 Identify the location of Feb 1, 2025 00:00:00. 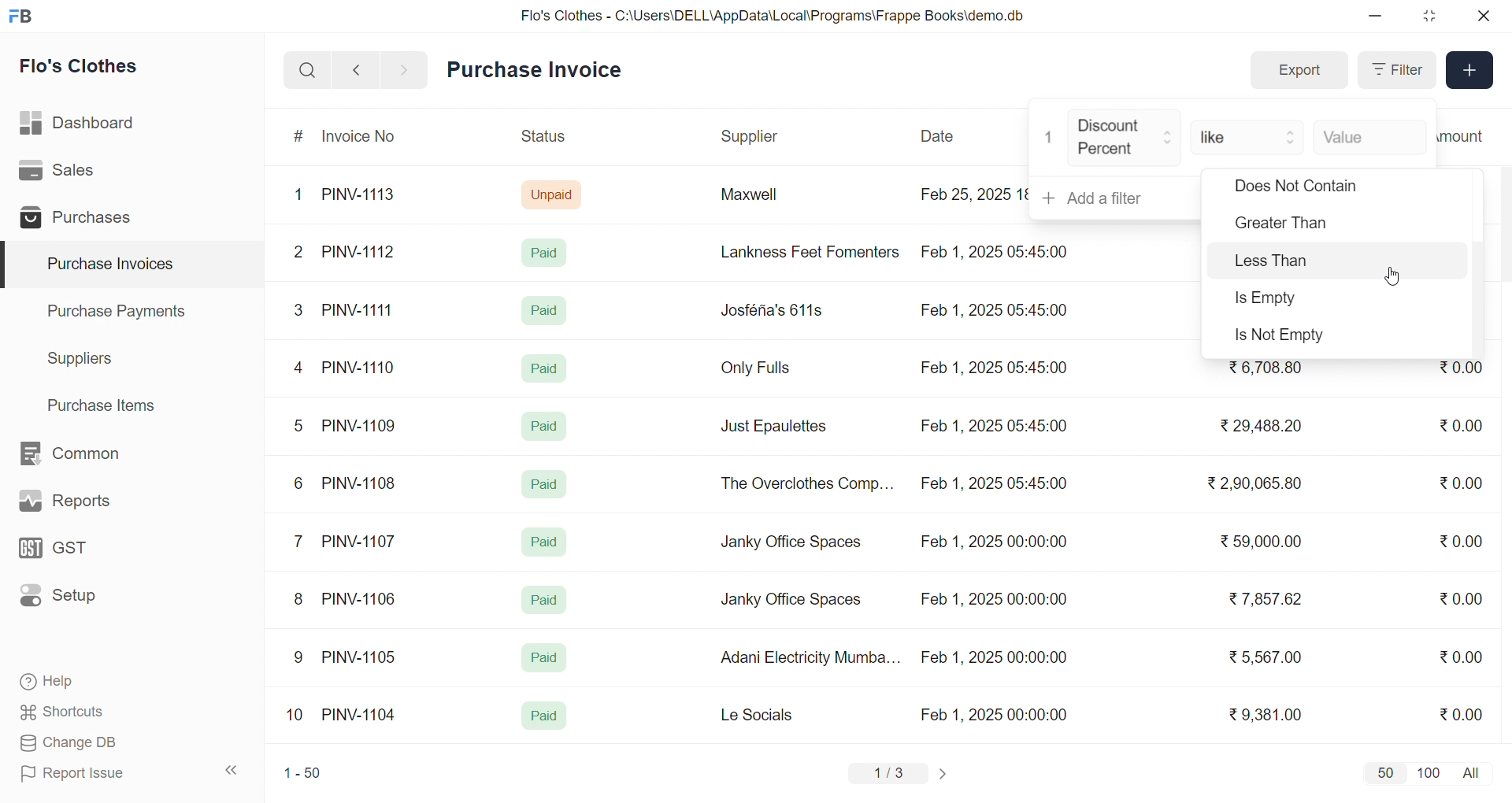
(991, 597).